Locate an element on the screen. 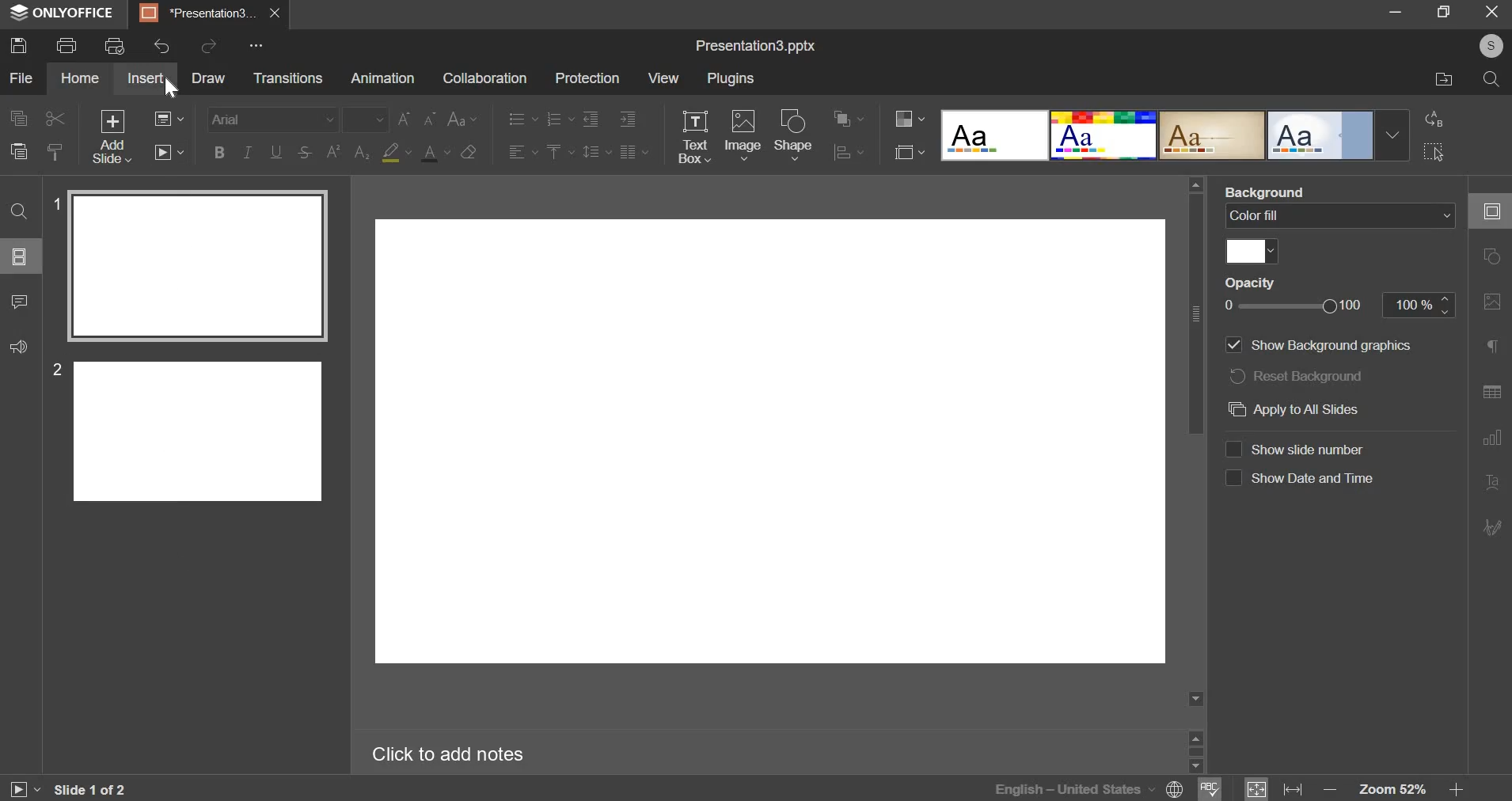 The width and height of the screenshot is (1512, 801). protection is located at coordinates (587, 78).